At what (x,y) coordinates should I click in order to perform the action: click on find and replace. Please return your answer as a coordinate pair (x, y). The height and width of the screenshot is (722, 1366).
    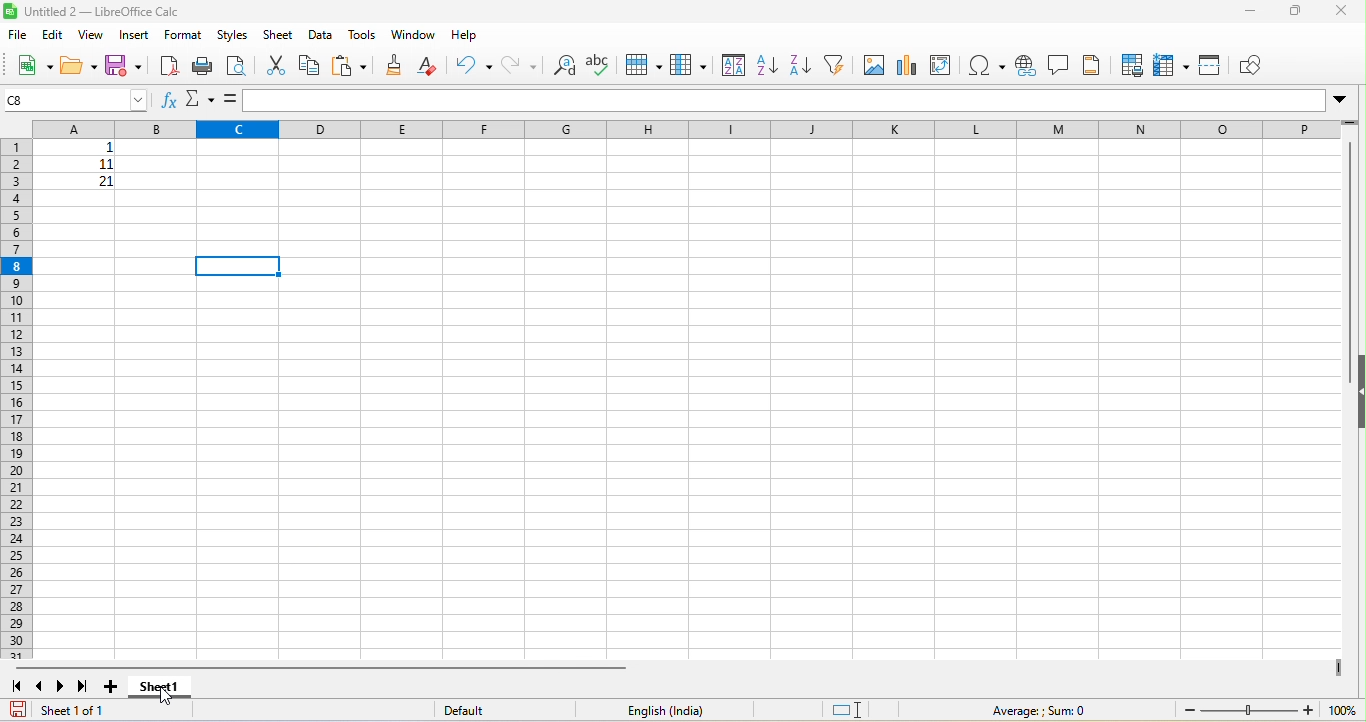
    Looking at the image, I should click on (561, 65).